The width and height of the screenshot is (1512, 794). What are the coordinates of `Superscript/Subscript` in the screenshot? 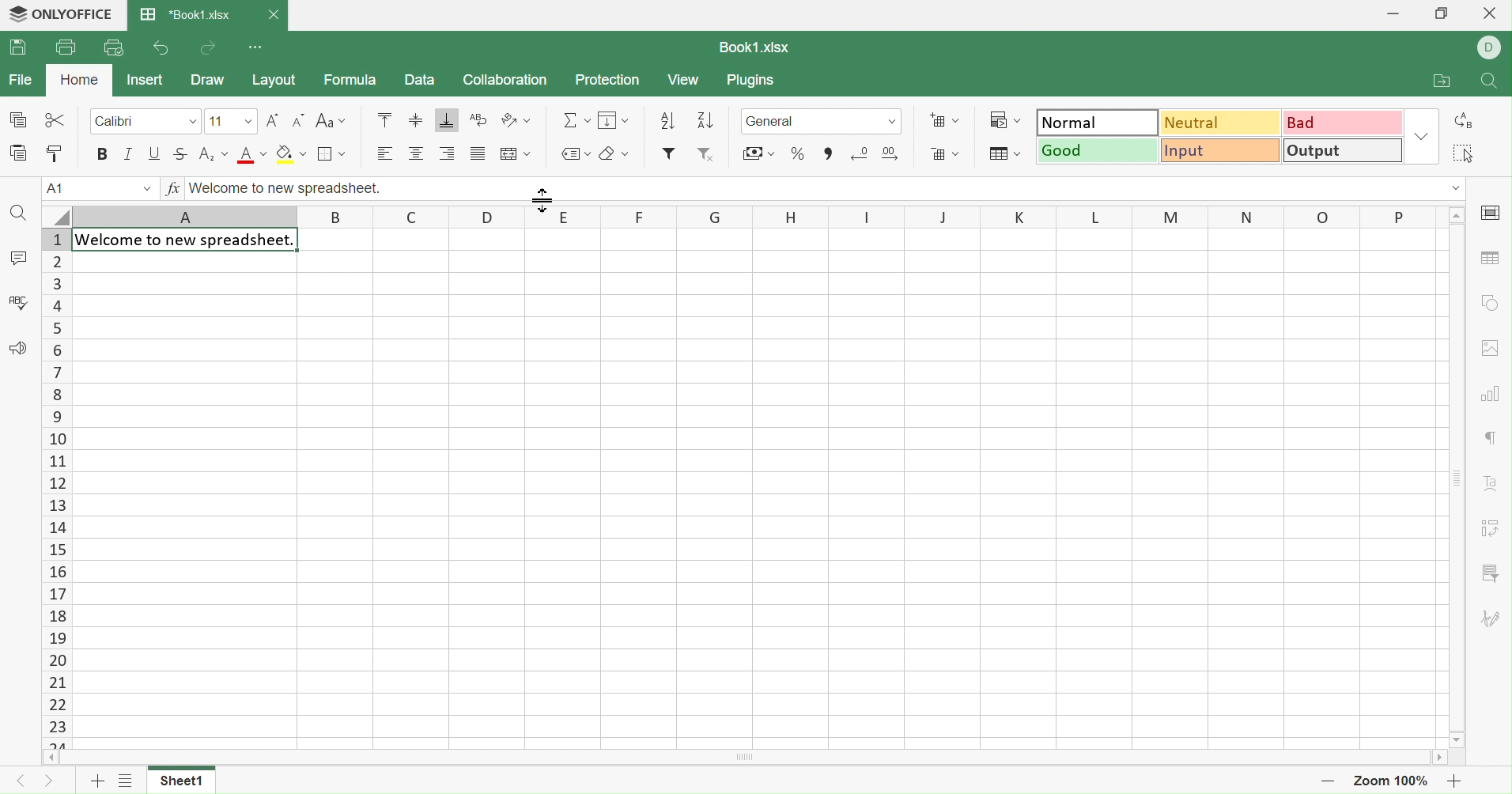 It's located at (214, 153).